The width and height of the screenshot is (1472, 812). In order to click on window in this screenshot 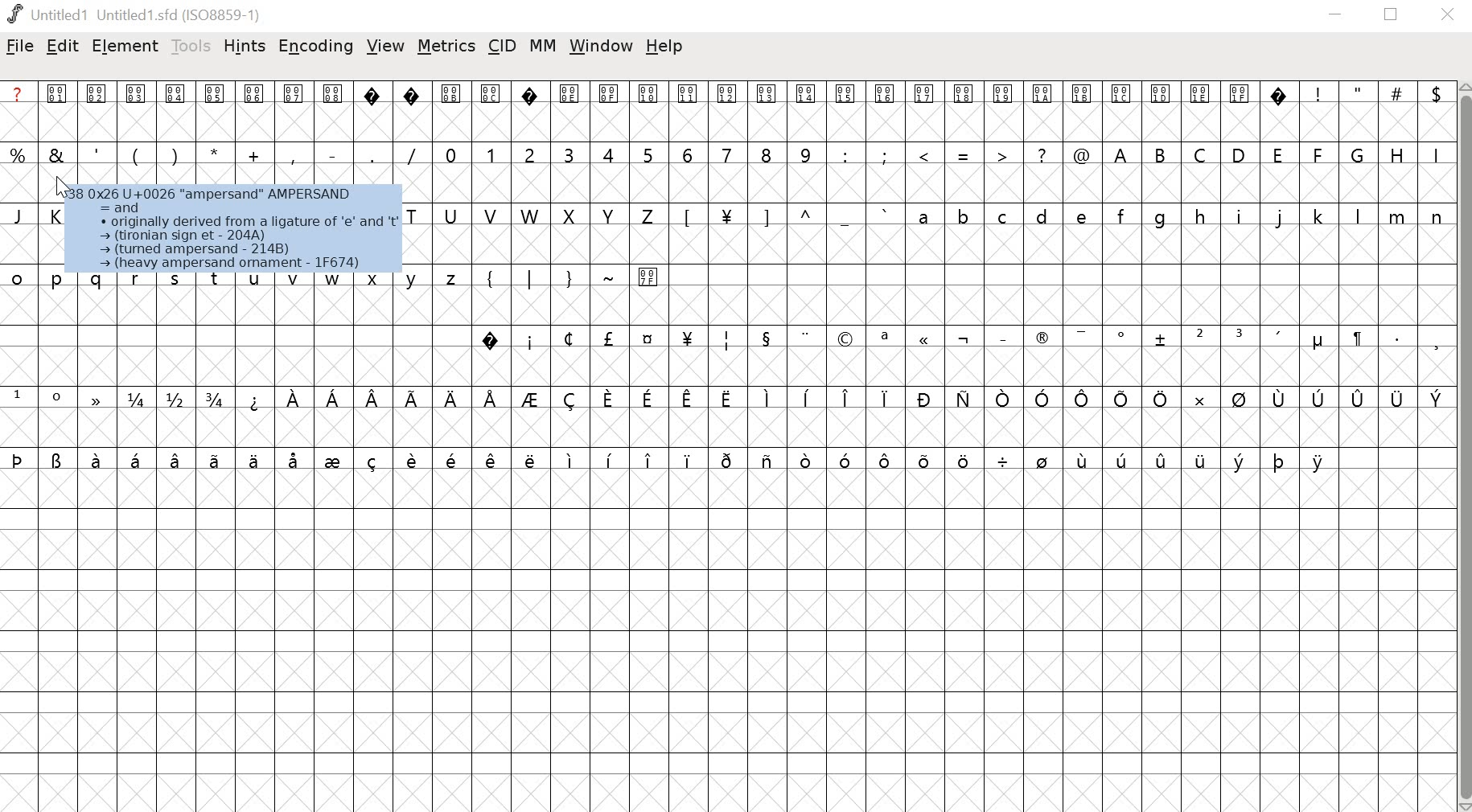, I will do `click(600, 47)`.